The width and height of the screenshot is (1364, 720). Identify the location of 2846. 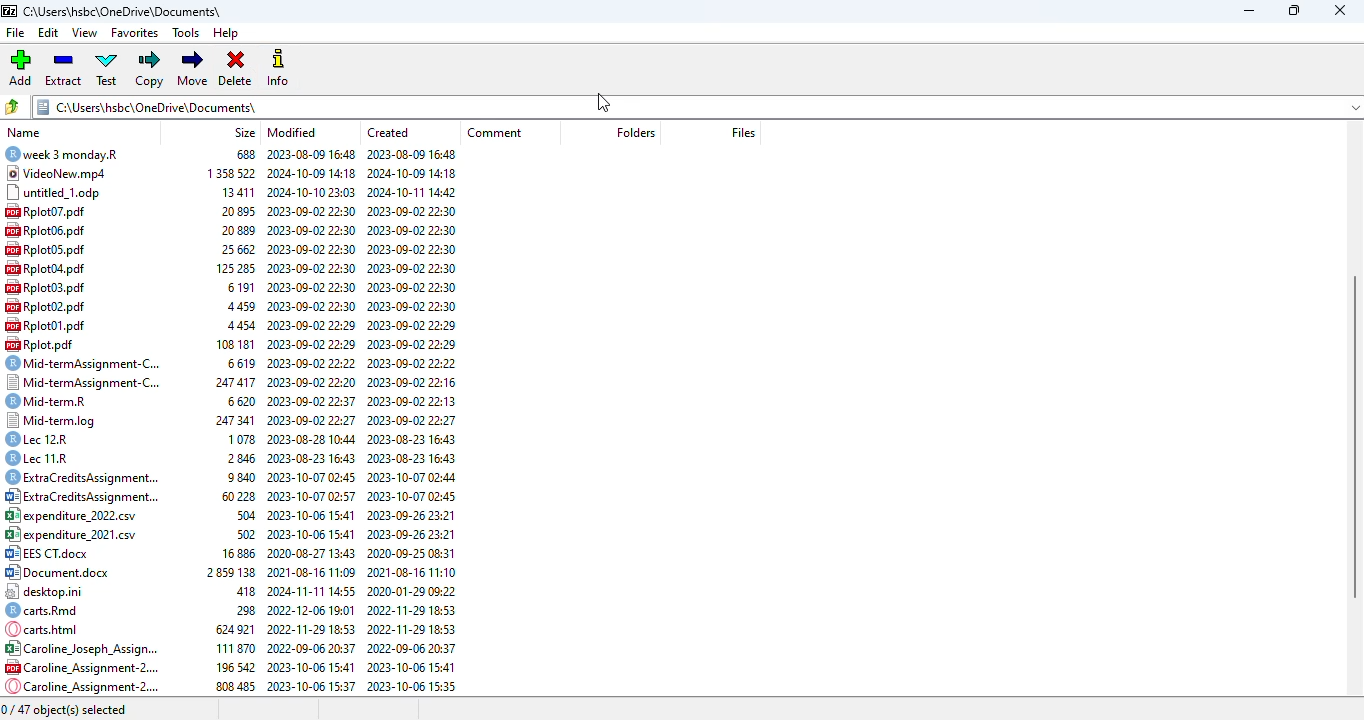
(240, 460).